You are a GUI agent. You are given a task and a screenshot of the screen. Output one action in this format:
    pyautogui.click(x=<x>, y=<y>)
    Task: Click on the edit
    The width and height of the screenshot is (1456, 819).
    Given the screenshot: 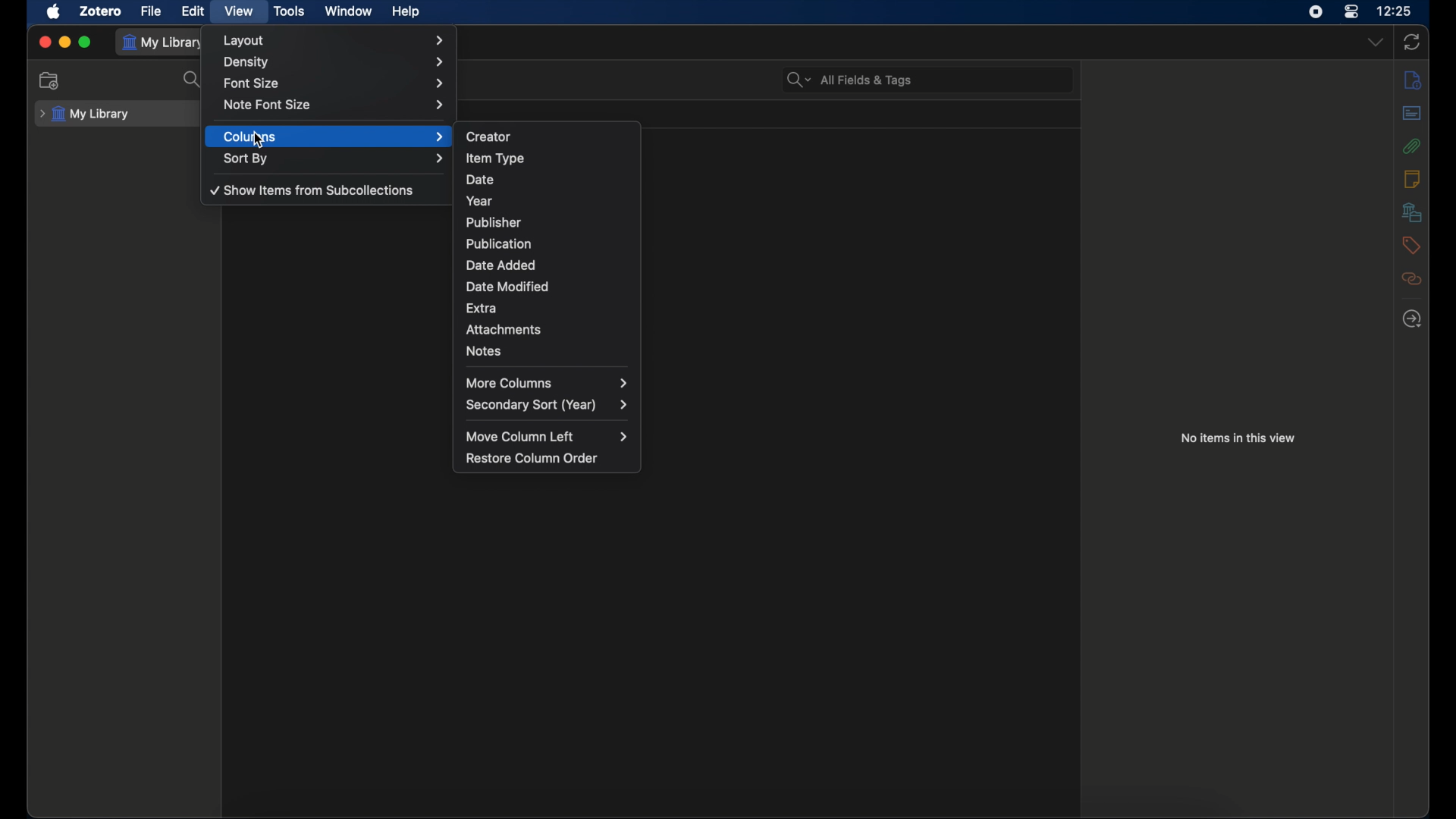 What is the action you would take?
    pyautogui.click(x=193, y=11)
    